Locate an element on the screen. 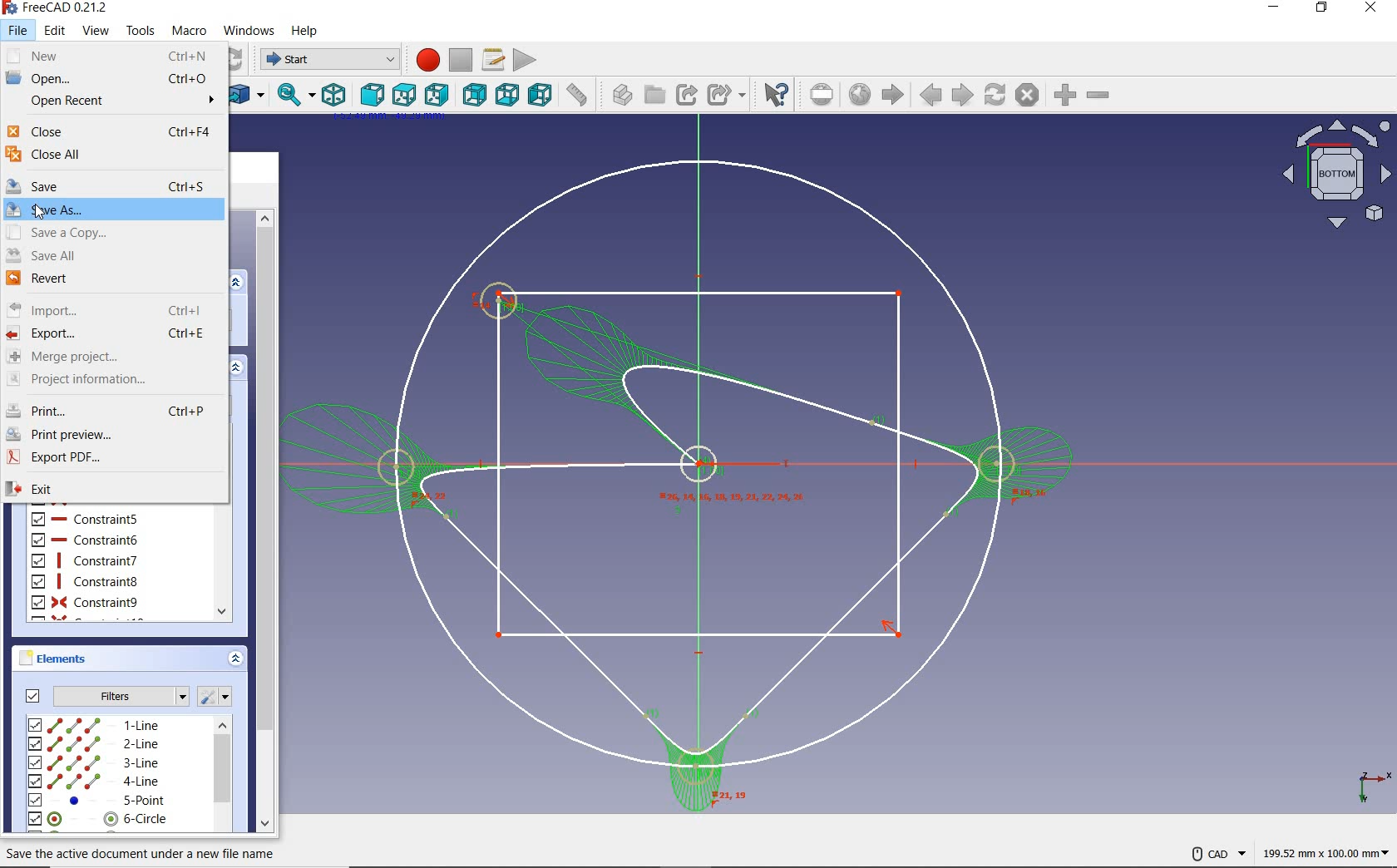  next page is located at coordinates (961, 95).